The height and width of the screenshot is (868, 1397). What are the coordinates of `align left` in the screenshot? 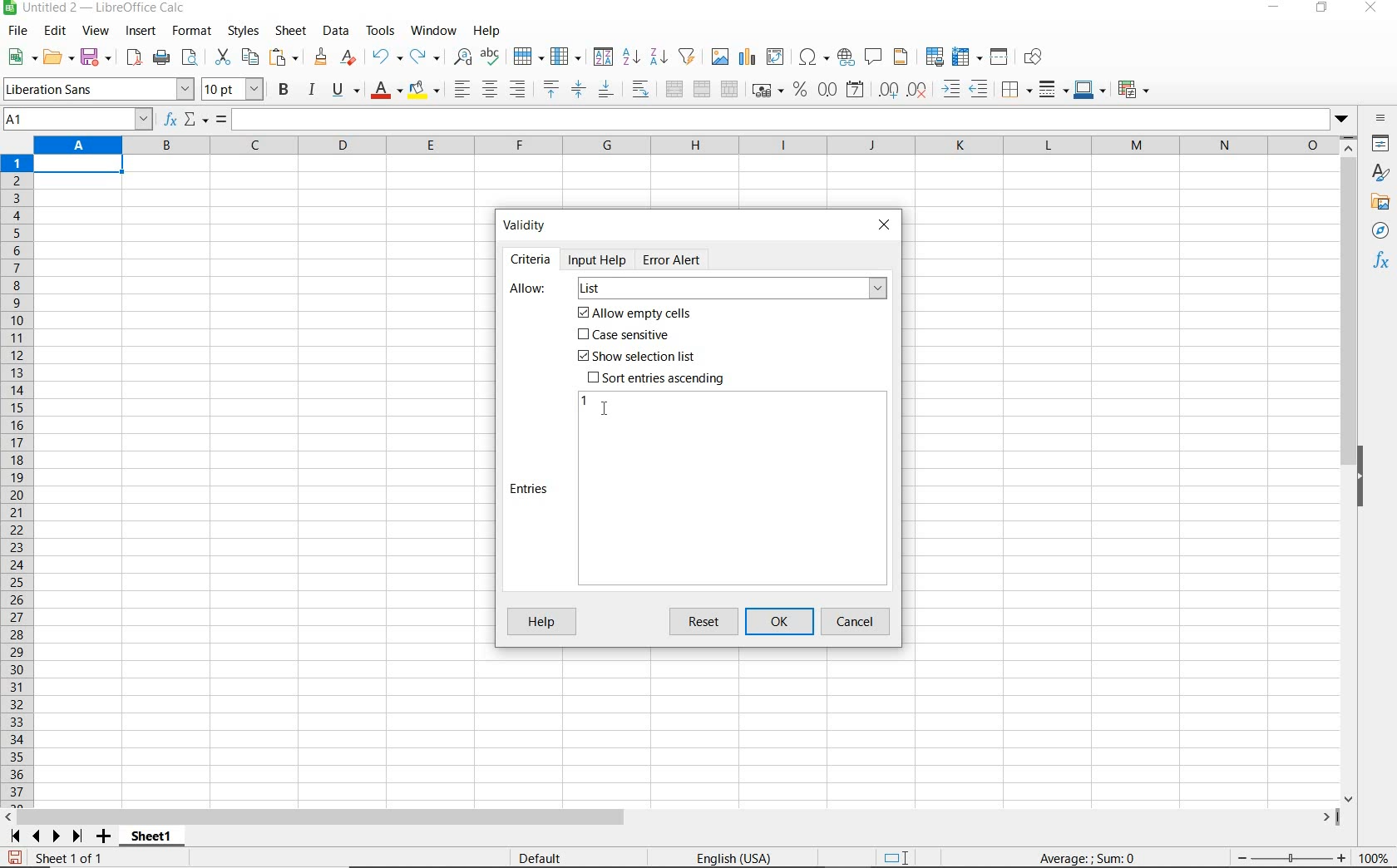 It's located at (461, 91).